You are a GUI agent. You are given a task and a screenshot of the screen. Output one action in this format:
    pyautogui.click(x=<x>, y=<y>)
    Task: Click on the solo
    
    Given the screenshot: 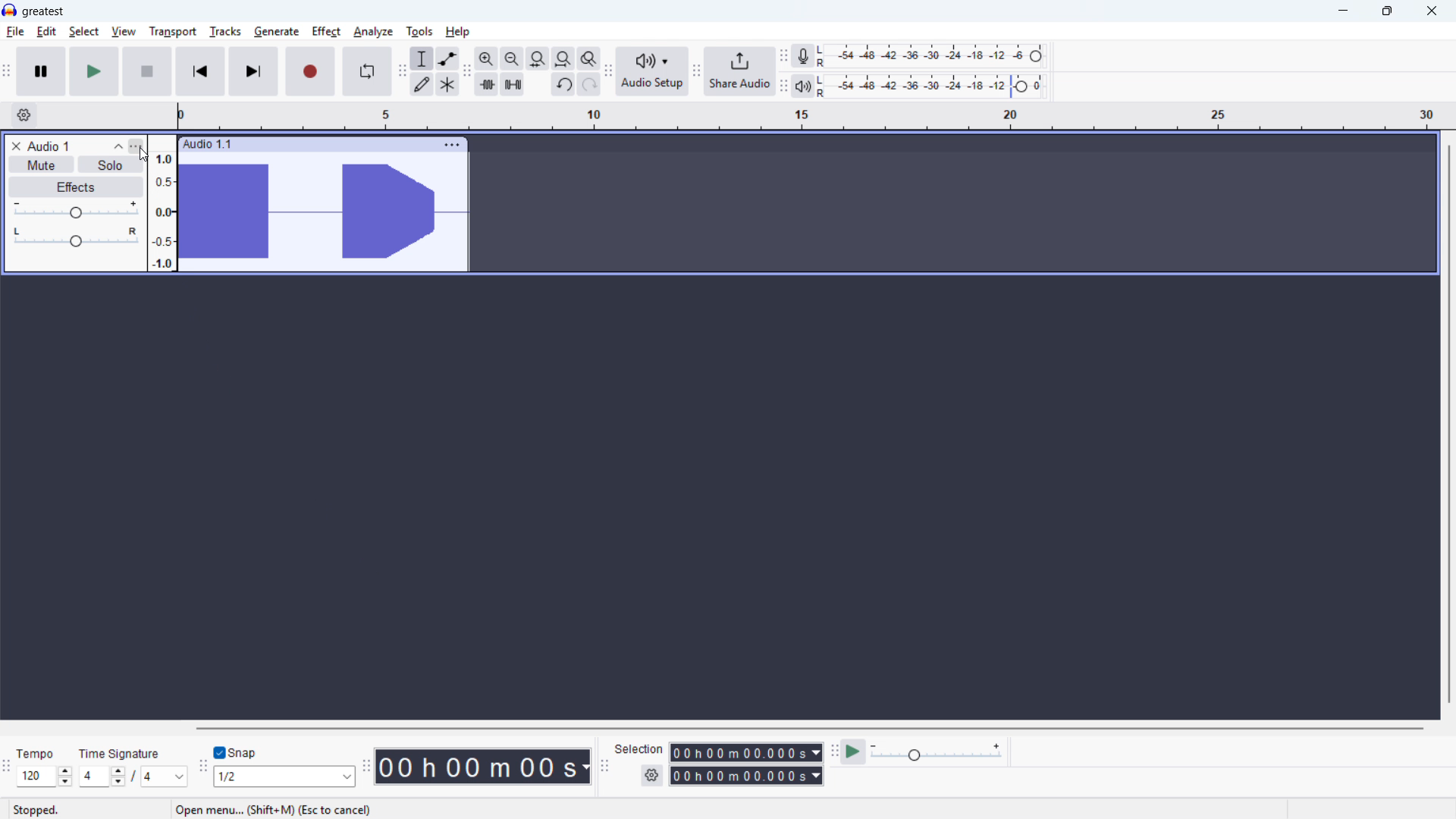 What is the action you would take?
    pyautogui.click(x=110, y=164)
    